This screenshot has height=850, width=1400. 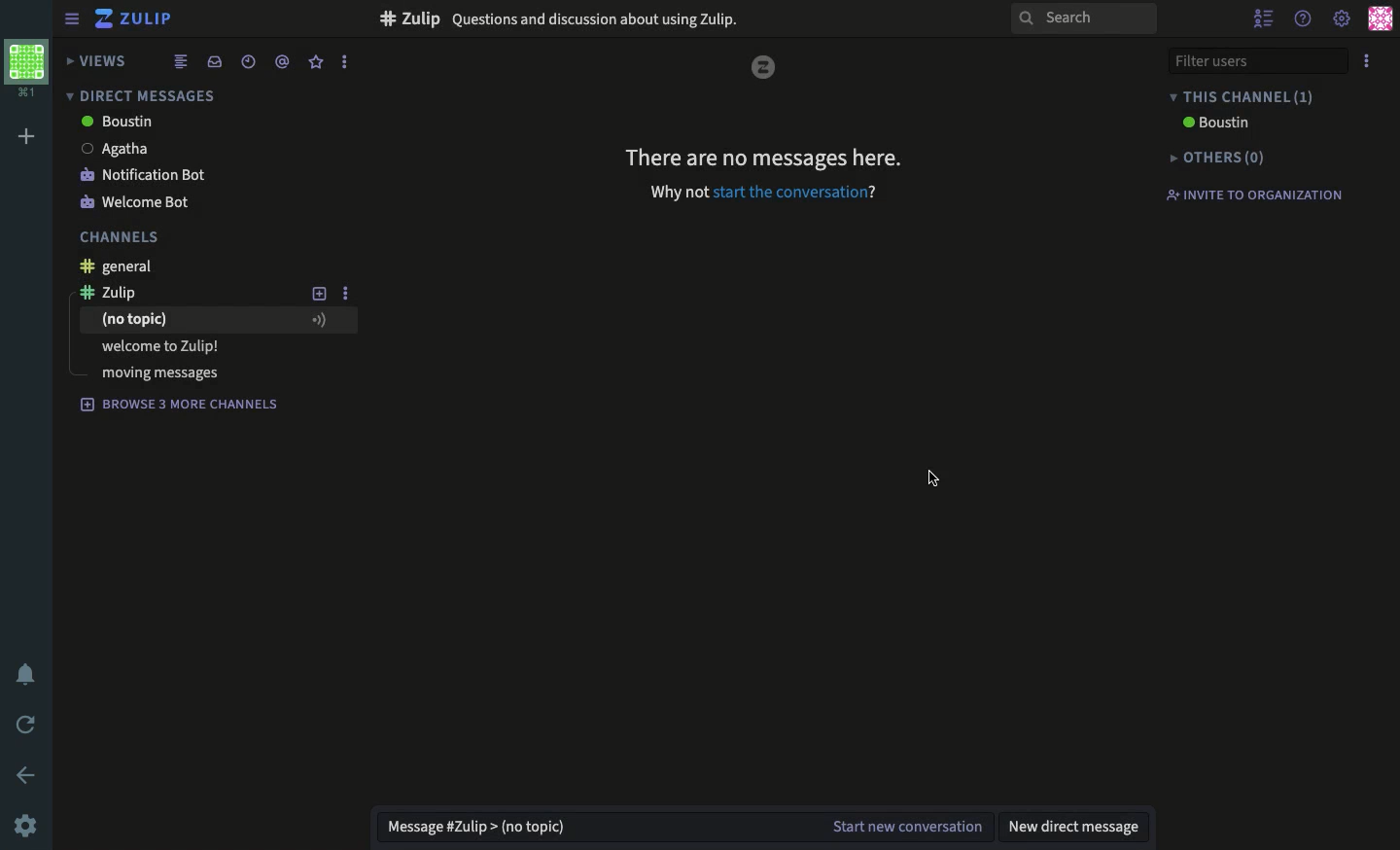 What do you see at coordinates (1258, 64) in the screenshot?
I see `filter users` at bounding box center [1258, 64].